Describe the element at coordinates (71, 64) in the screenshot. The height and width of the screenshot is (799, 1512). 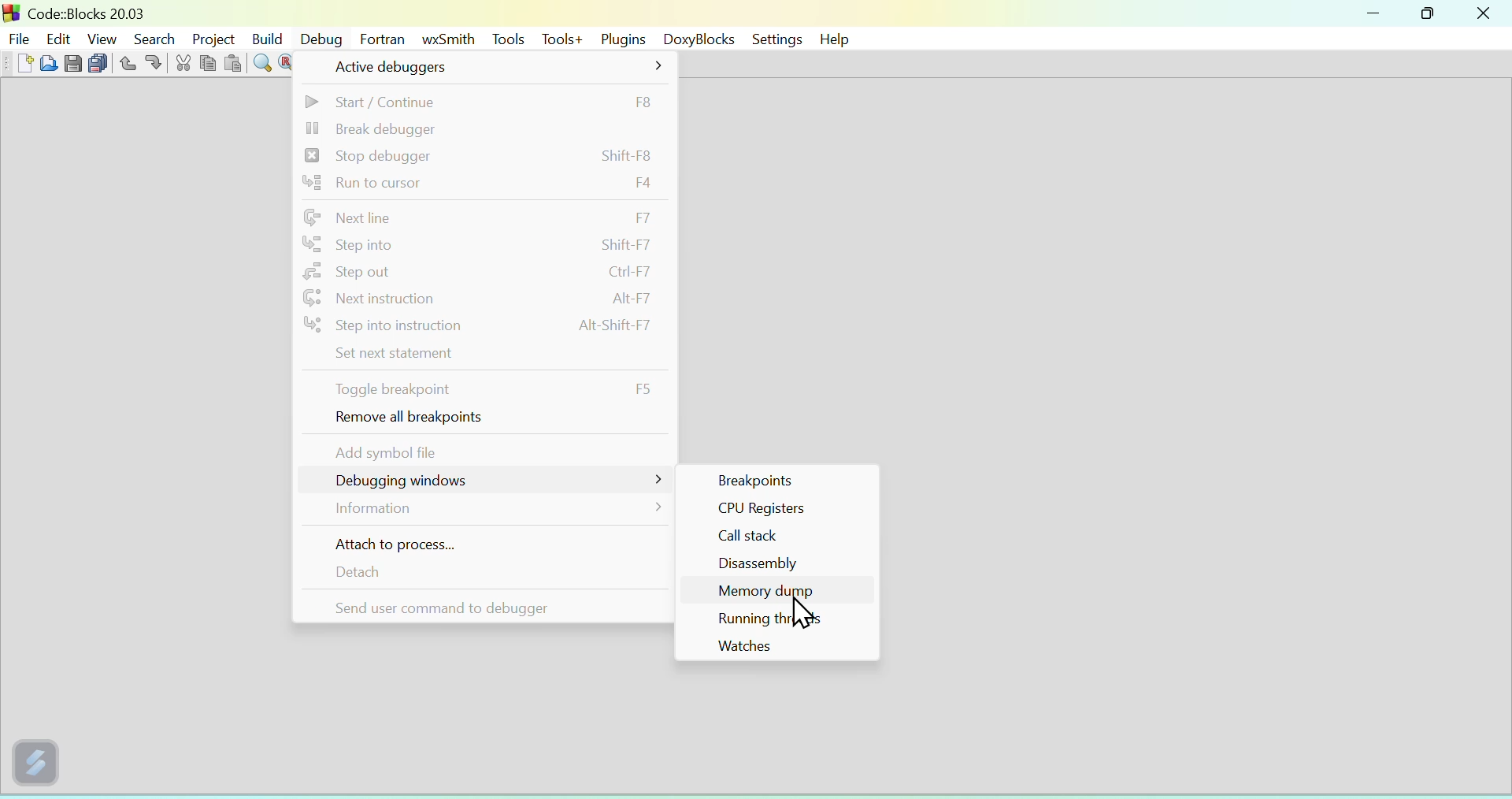
I see `save ` at that location.